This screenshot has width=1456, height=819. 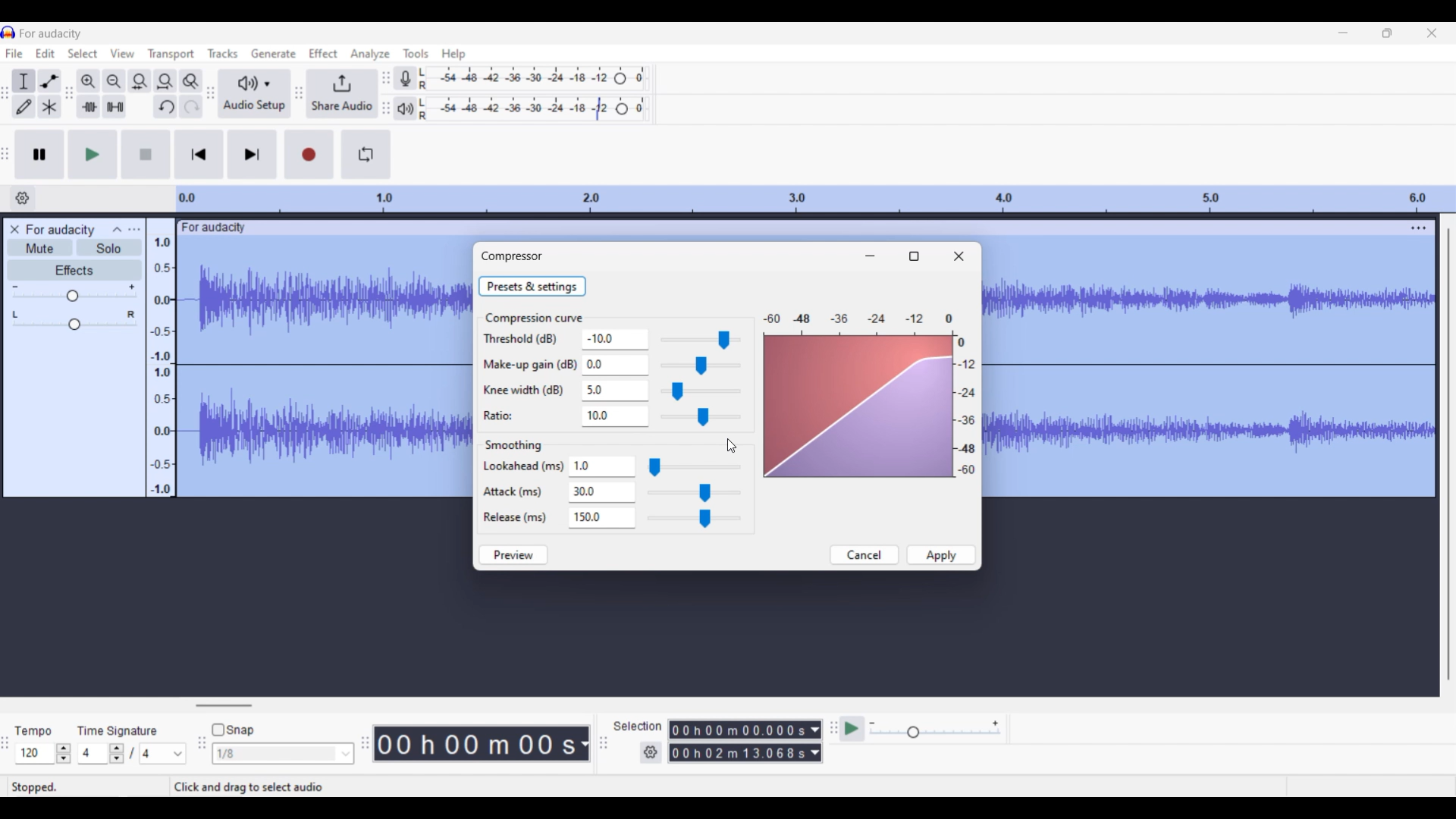 What do you see at coordinates (24, 81) in the screenshot?
I see `Selection tool` at bounding box center [24, 81].